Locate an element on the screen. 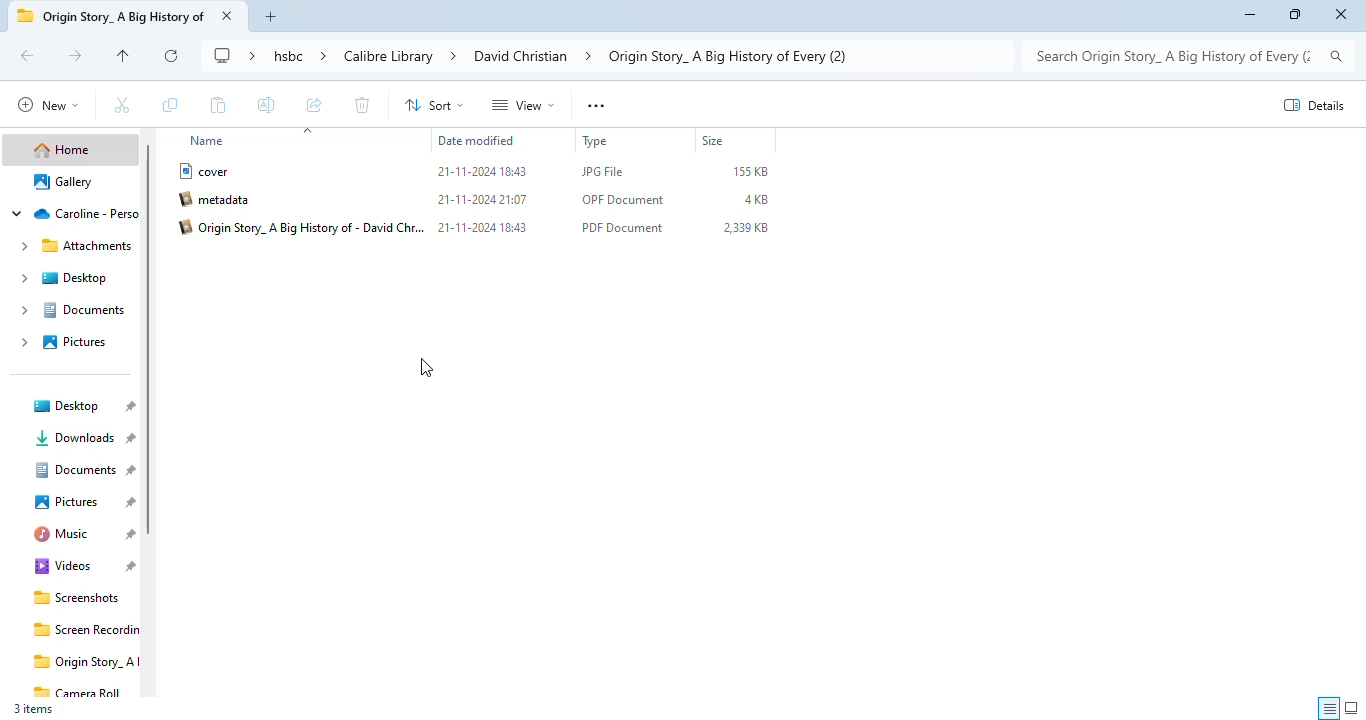 The height and width of the screenshot is (720, 1366). size is located at coordinates (745, 227).